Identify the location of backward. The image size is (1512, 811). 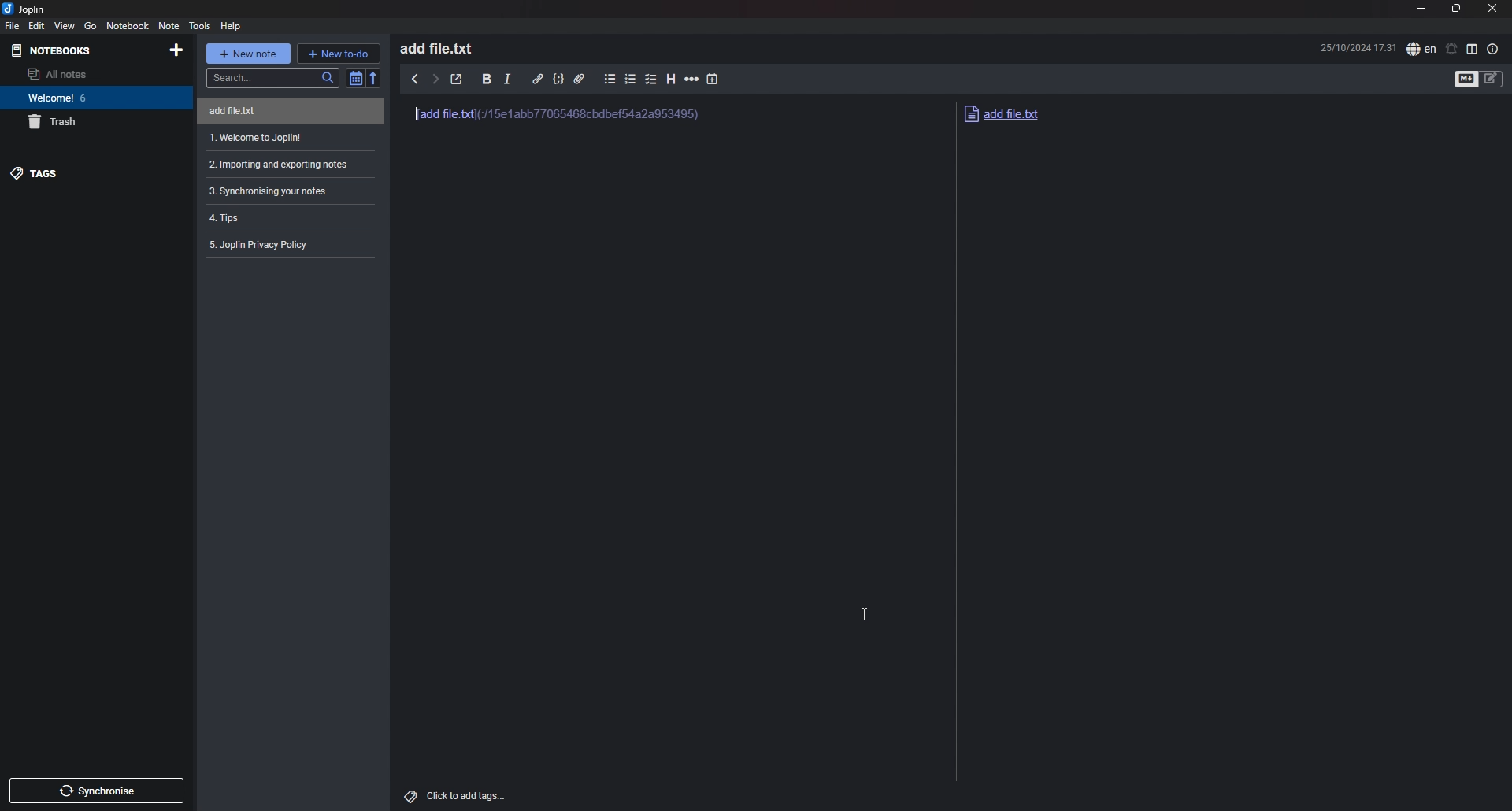
(415, 79).